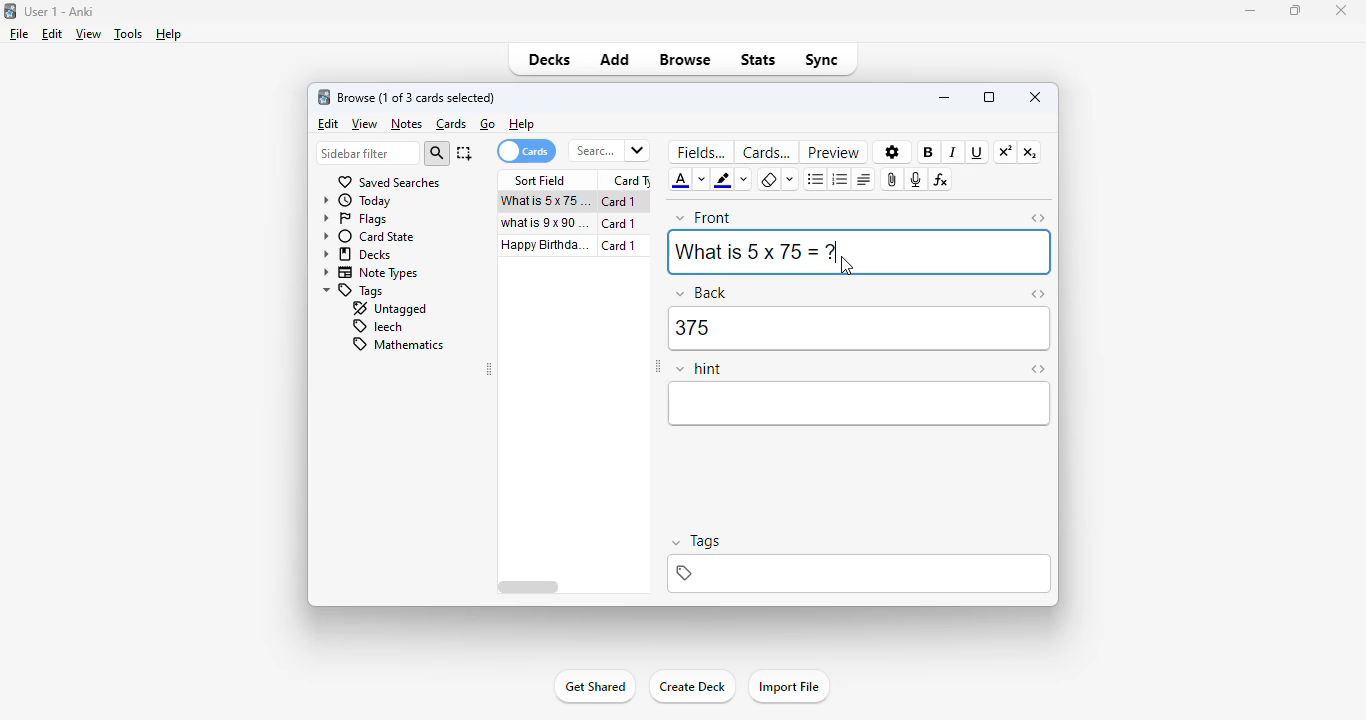 Image resolution: width=1366 pixels, height=720 pixels. I want to click on notes, so click(406, 124).